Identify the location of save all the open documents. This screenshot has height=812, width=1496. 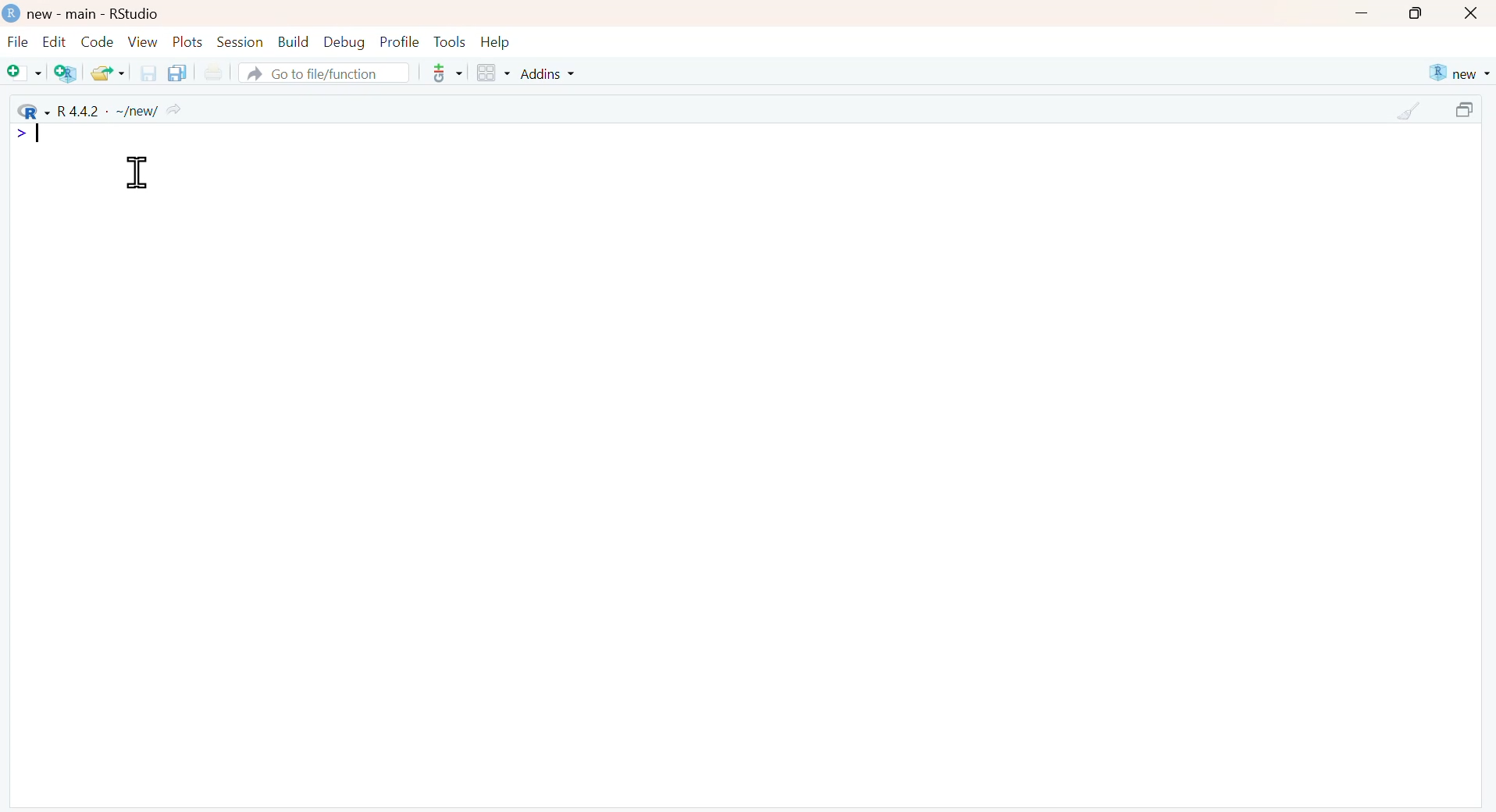
(176, 72).